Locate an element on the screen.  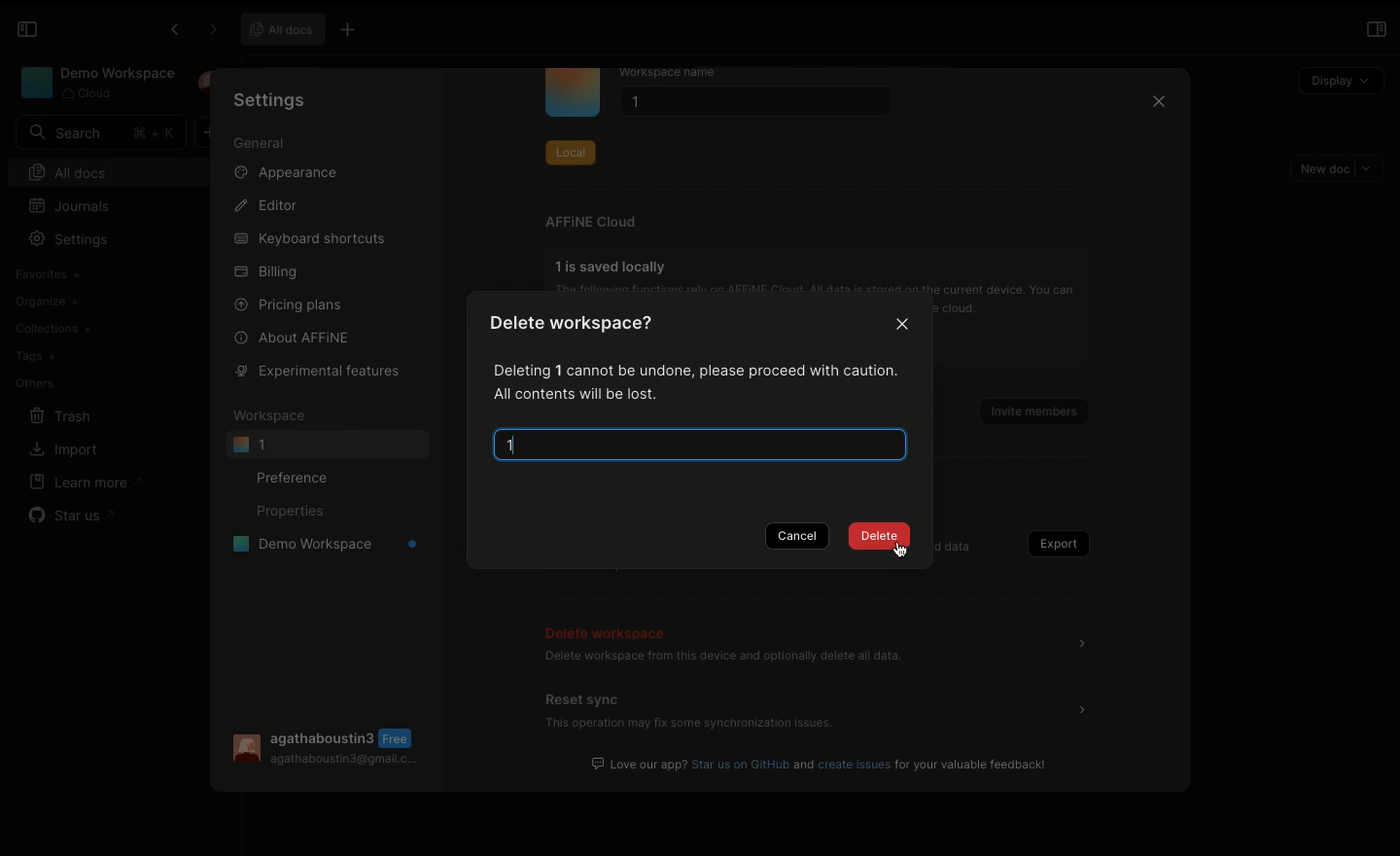
Organize is located at coordinates (49, 301).